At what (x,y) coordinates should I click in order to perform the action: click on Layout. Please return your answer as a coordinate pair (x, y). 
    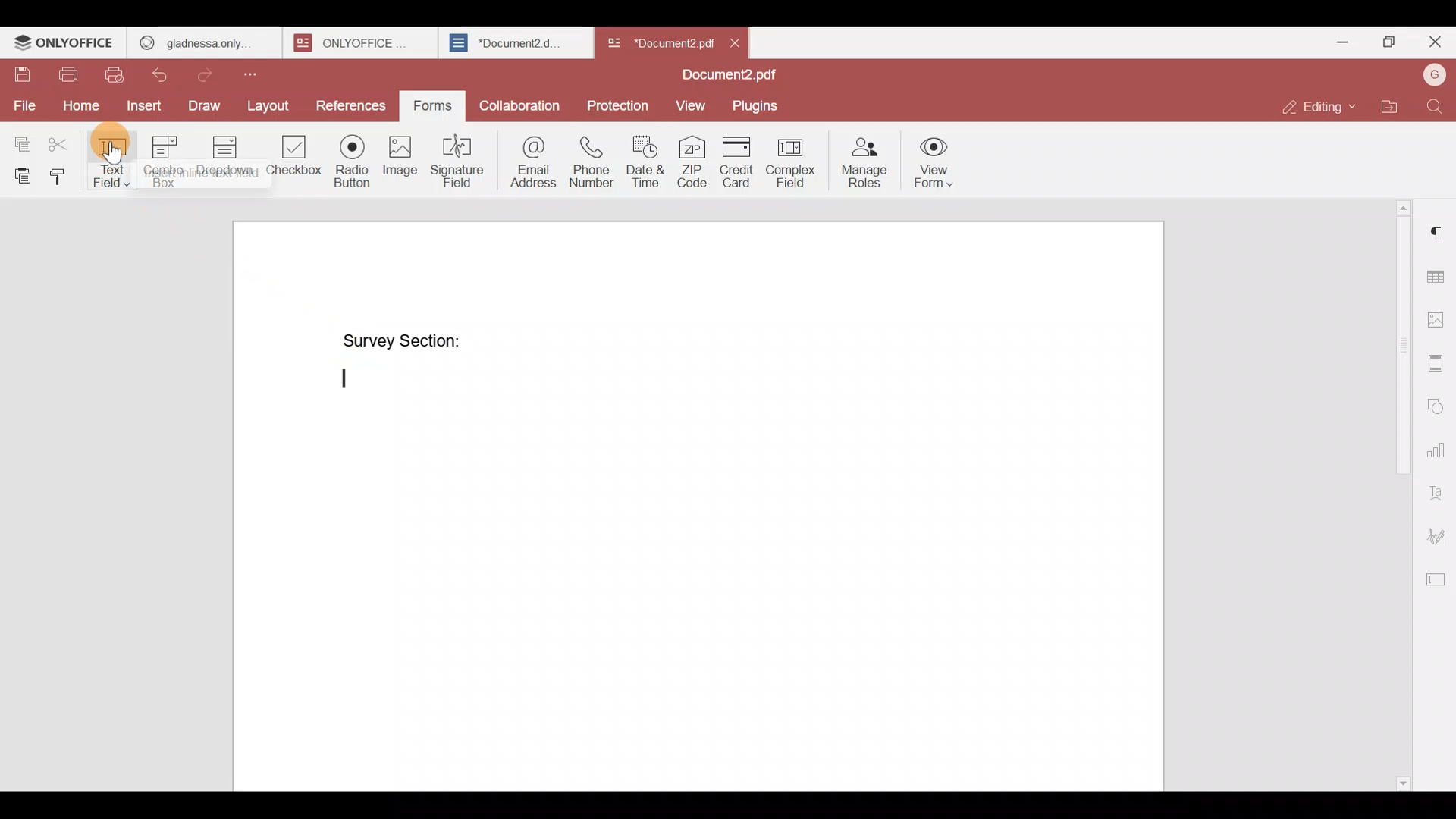
    Looking at the image, I should click on (269, 102).